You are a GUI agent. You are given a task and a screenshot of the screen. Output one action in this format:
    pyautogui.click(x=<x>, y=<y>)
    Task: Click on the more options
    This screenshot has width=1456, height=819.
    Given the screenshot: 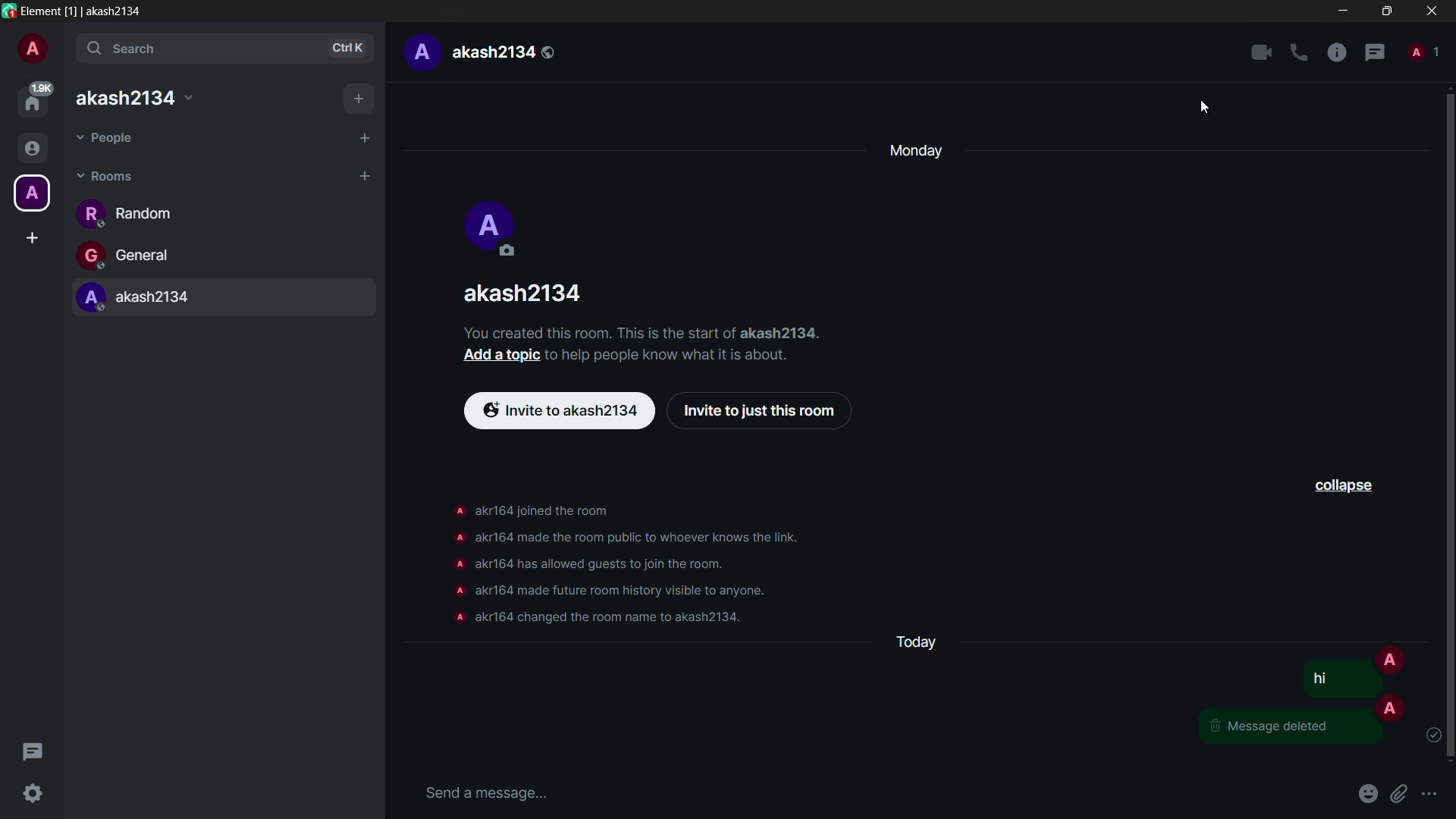 What is the action you would take?
    pyautogui.click(x=1430, y=795)
    